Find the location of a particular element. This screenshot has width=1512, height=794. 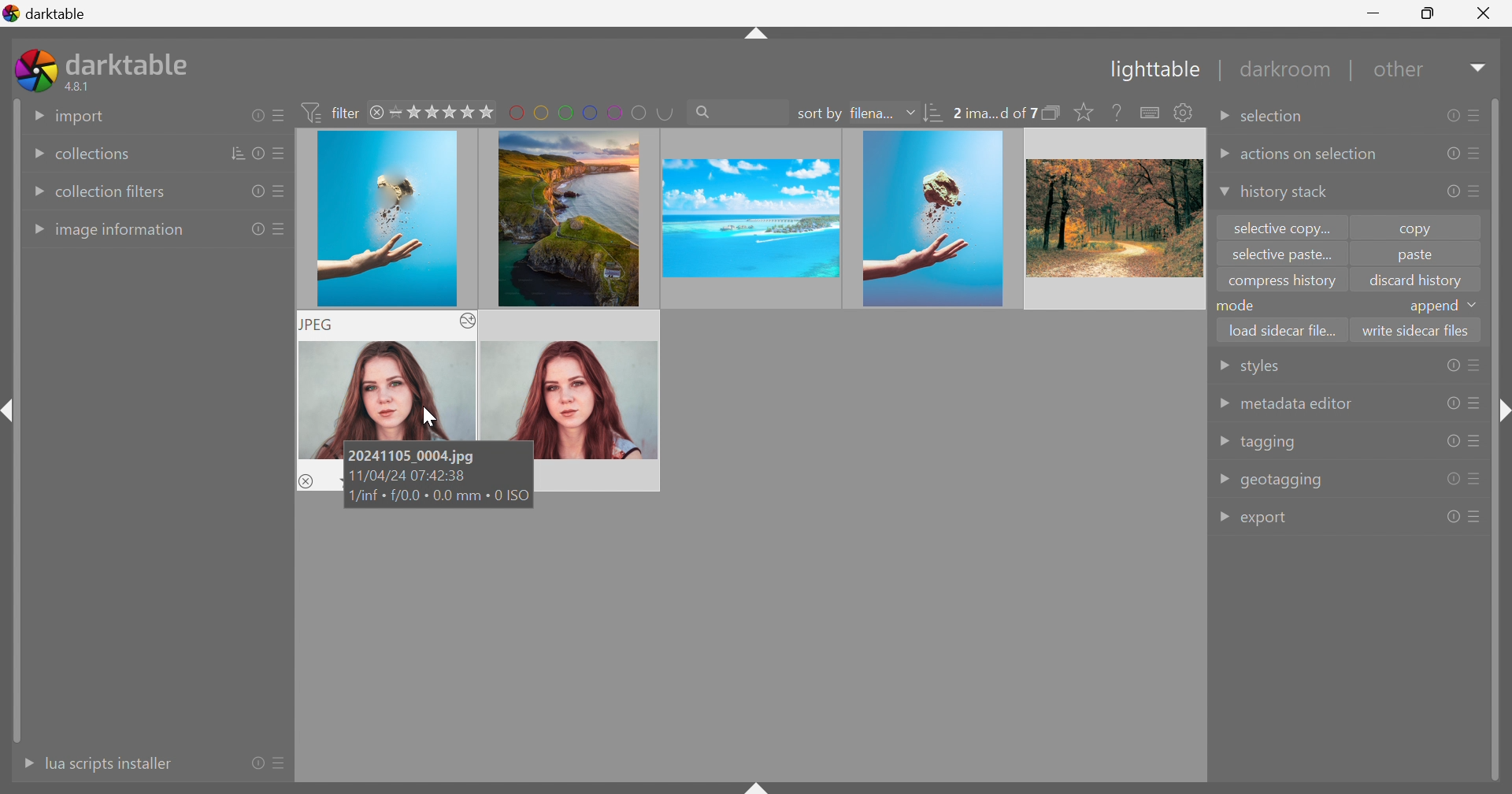

enable this then click on a control element to see its online help is located at coordinates (1117, 112).